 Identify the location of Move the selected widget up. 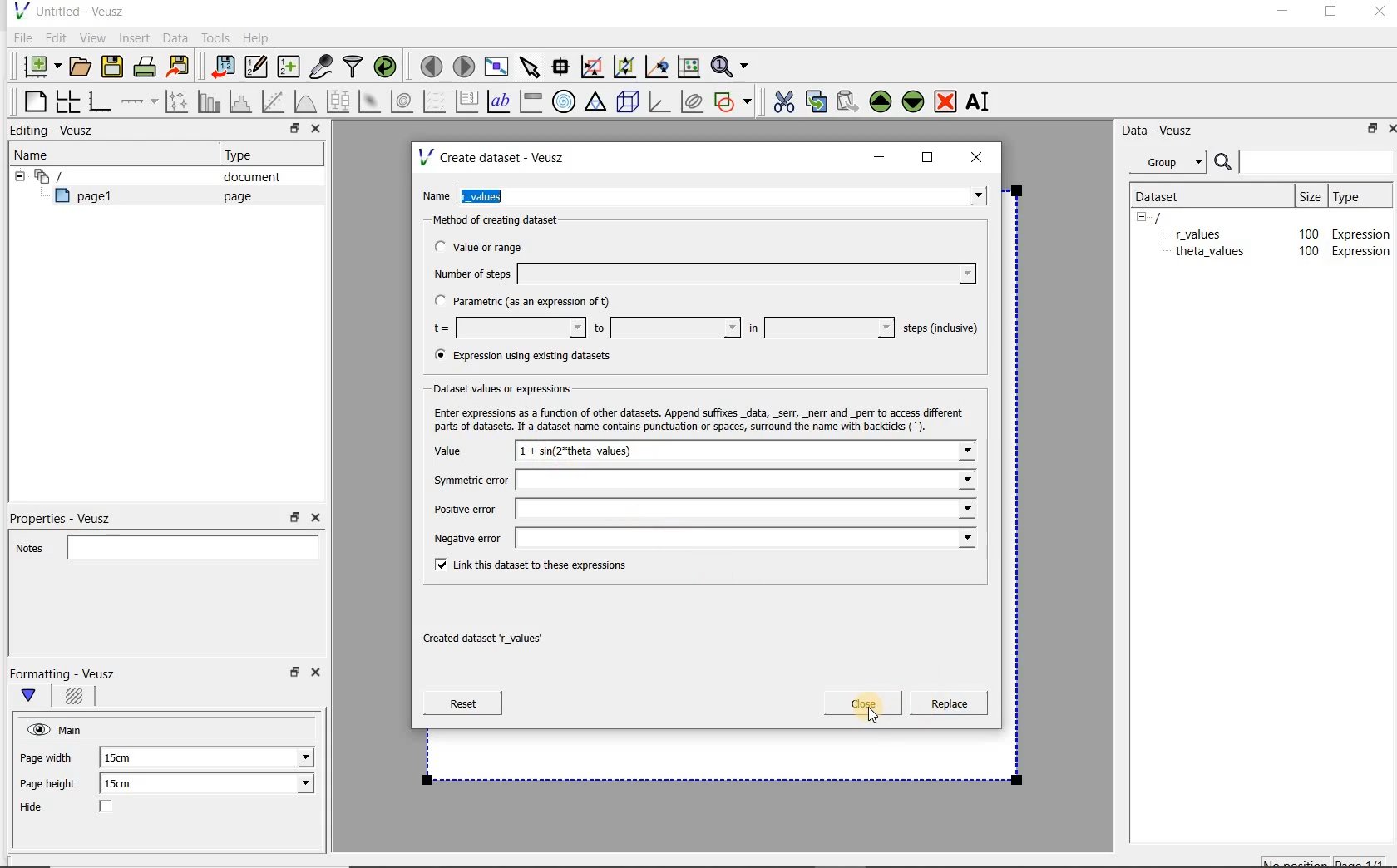
(881, 101).